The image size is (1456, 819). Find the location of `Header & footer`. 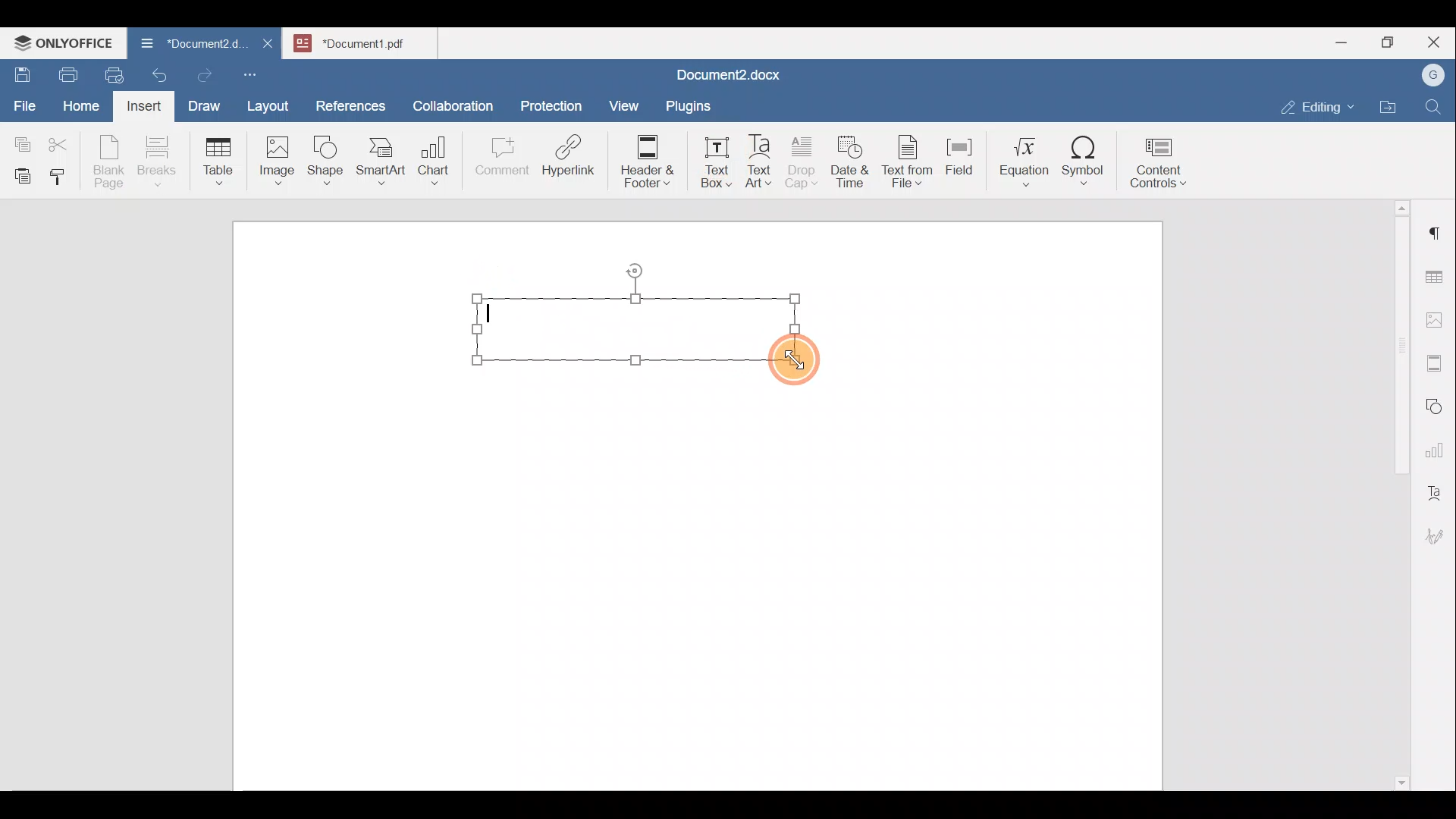

Header & footer is located at coordinates (642, 160).